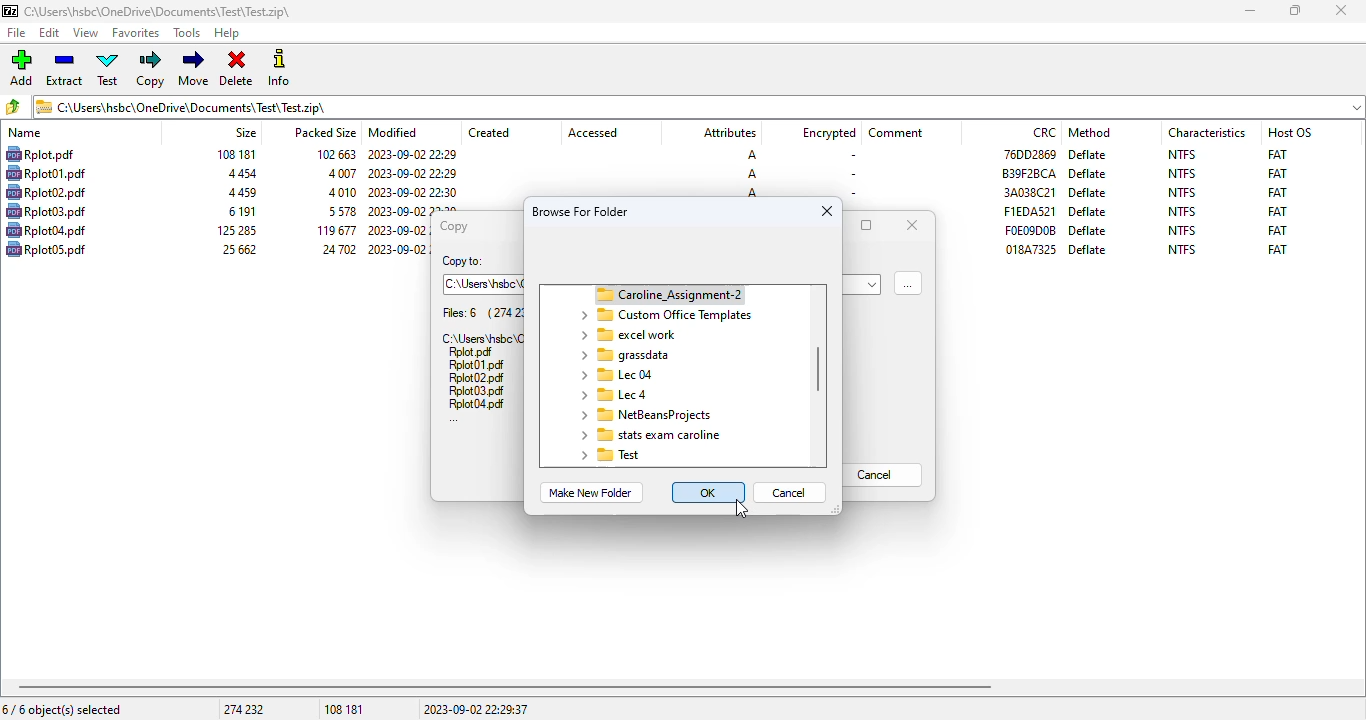  Describe the element at coordinates (476, 709) in the screenshot. I see `2023-09-02 22:29:37` at that location.